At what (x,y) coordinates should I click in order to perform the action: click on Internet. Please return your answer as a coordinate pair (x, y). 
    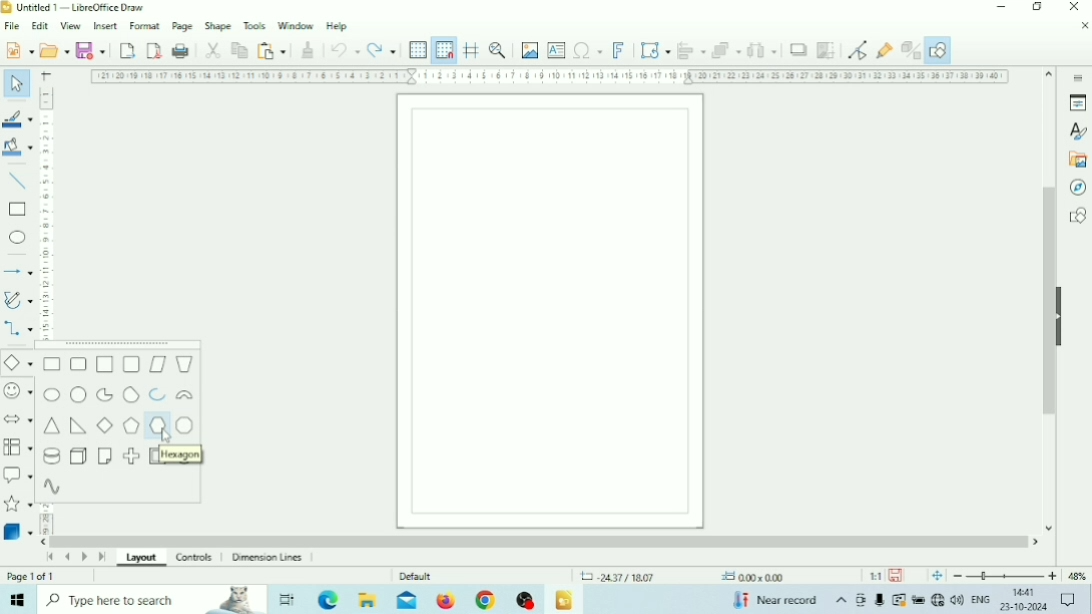
    Looking at the image, I should click on (937, 600).